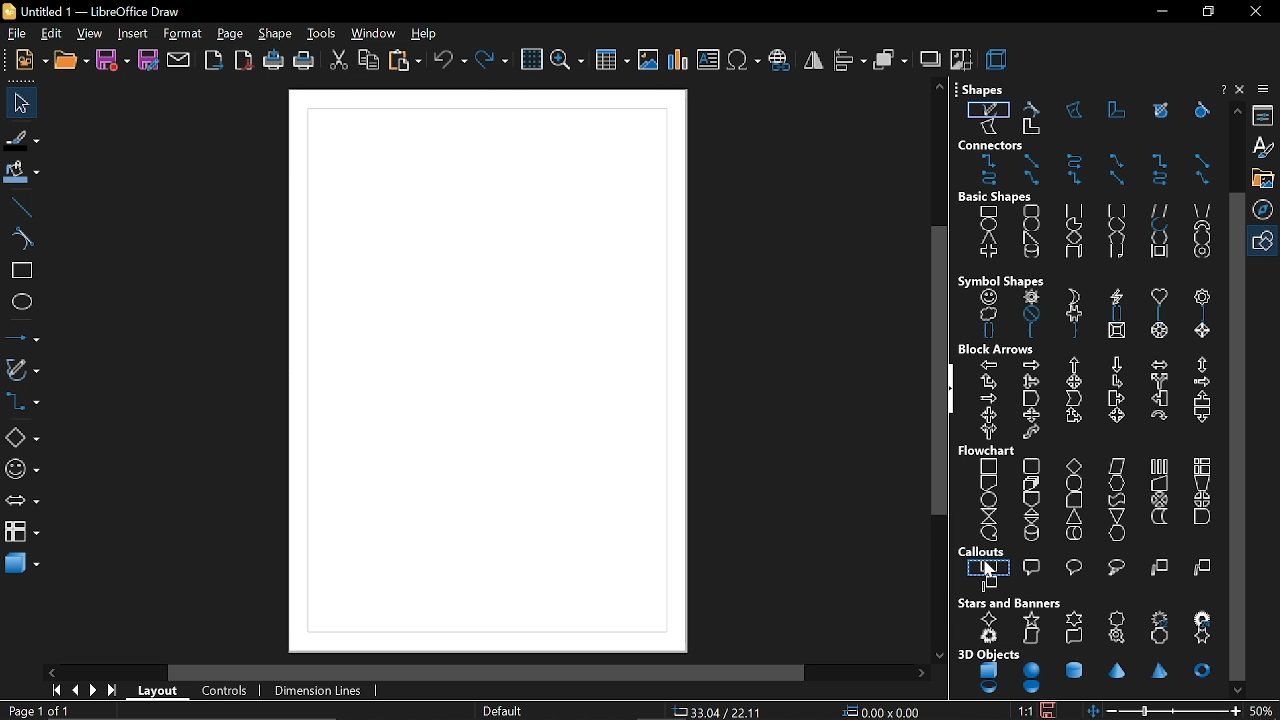 This screenshot has height=720, width=1280. Describe the element at coordinates (223, 692) in the screenshot. I see `controls` at that location.